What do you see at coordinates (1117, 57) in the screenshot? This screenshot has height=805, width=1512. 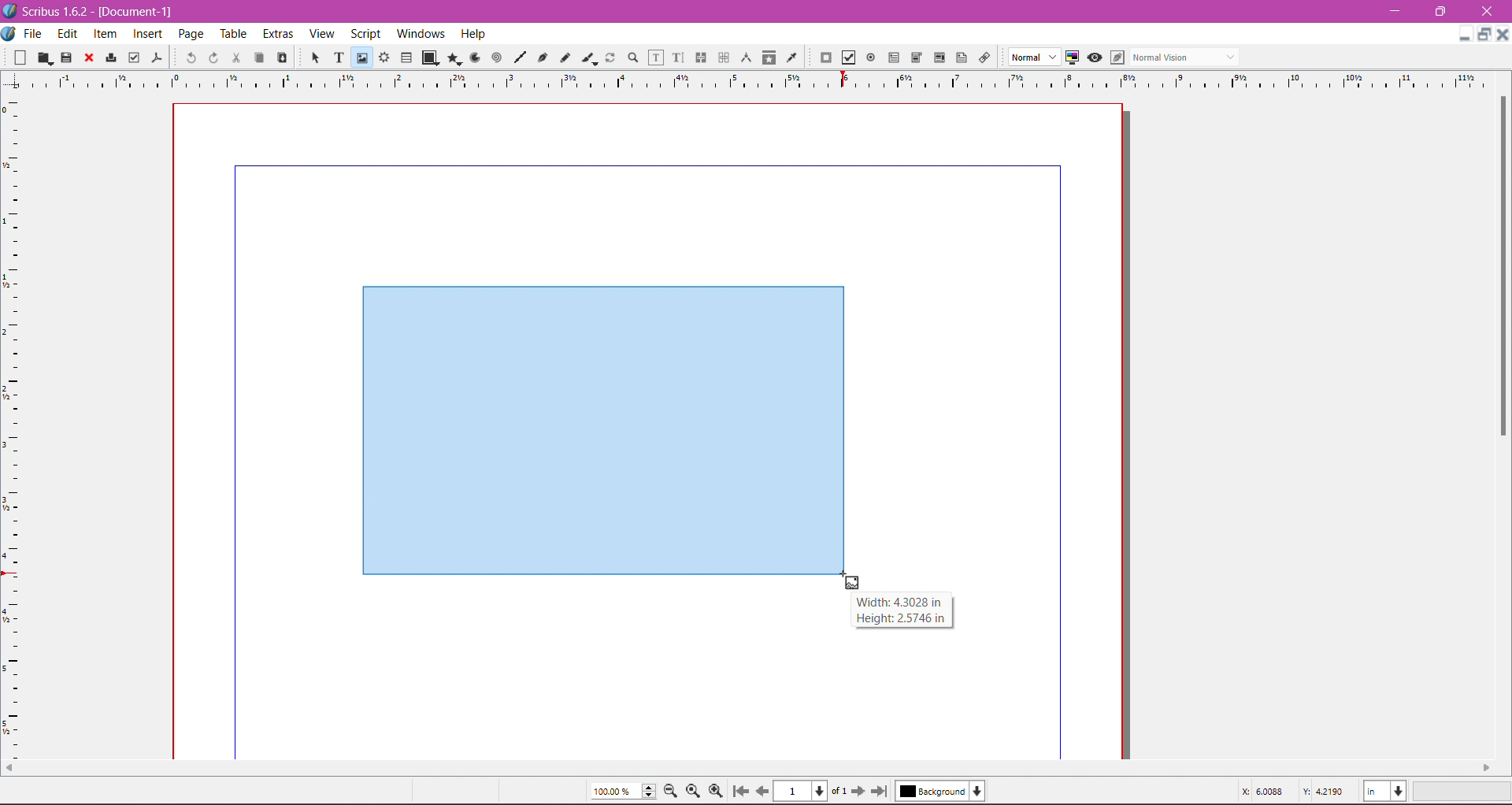 I see `Edit in Preview Mode` at bounding box center [1117, 57].